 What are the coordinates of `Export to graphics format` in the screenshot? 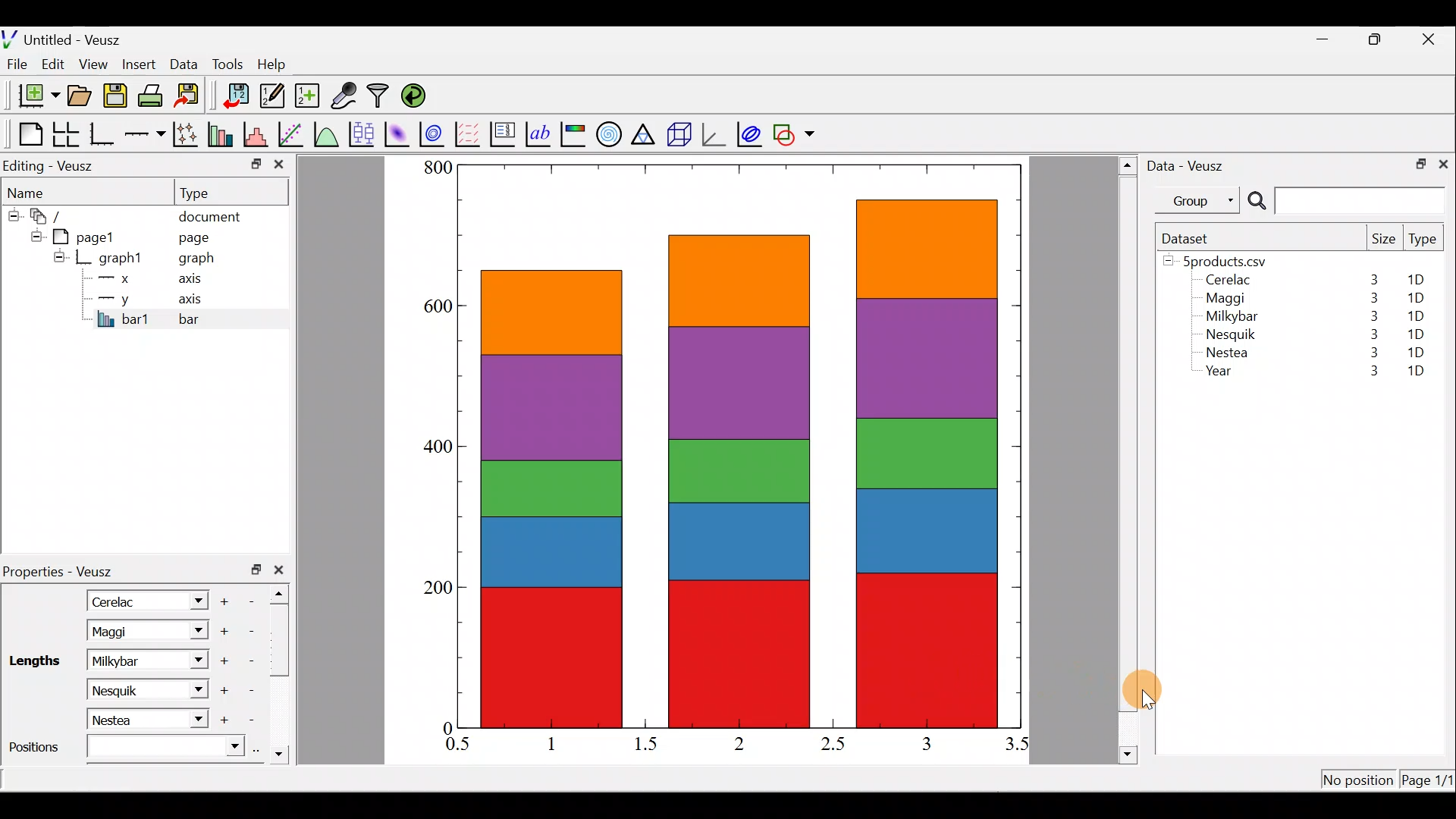 It's located at (192, 96).